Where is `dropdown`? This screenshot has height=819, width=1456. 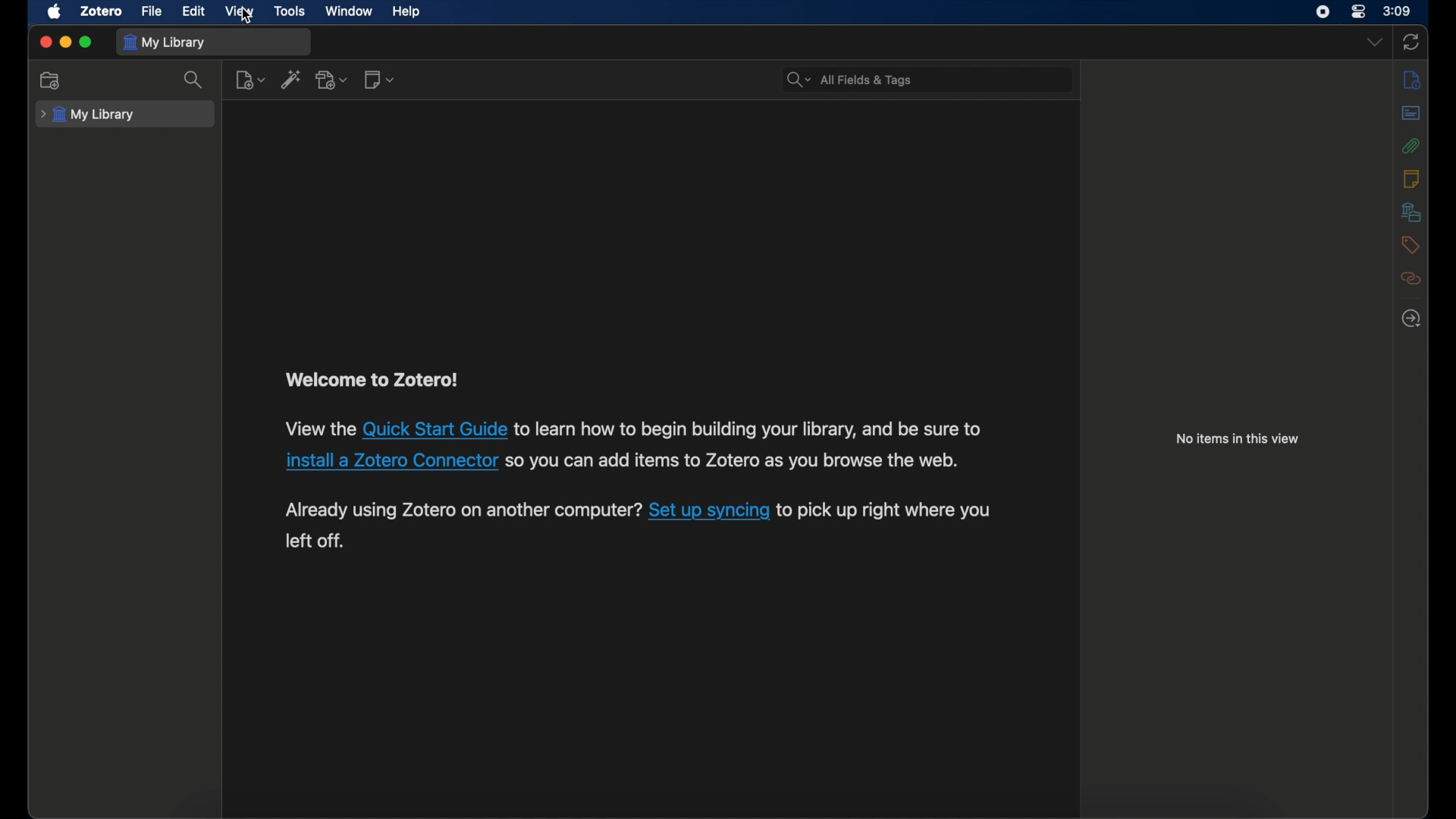 dropdown is located at coordinates (1374, 42).